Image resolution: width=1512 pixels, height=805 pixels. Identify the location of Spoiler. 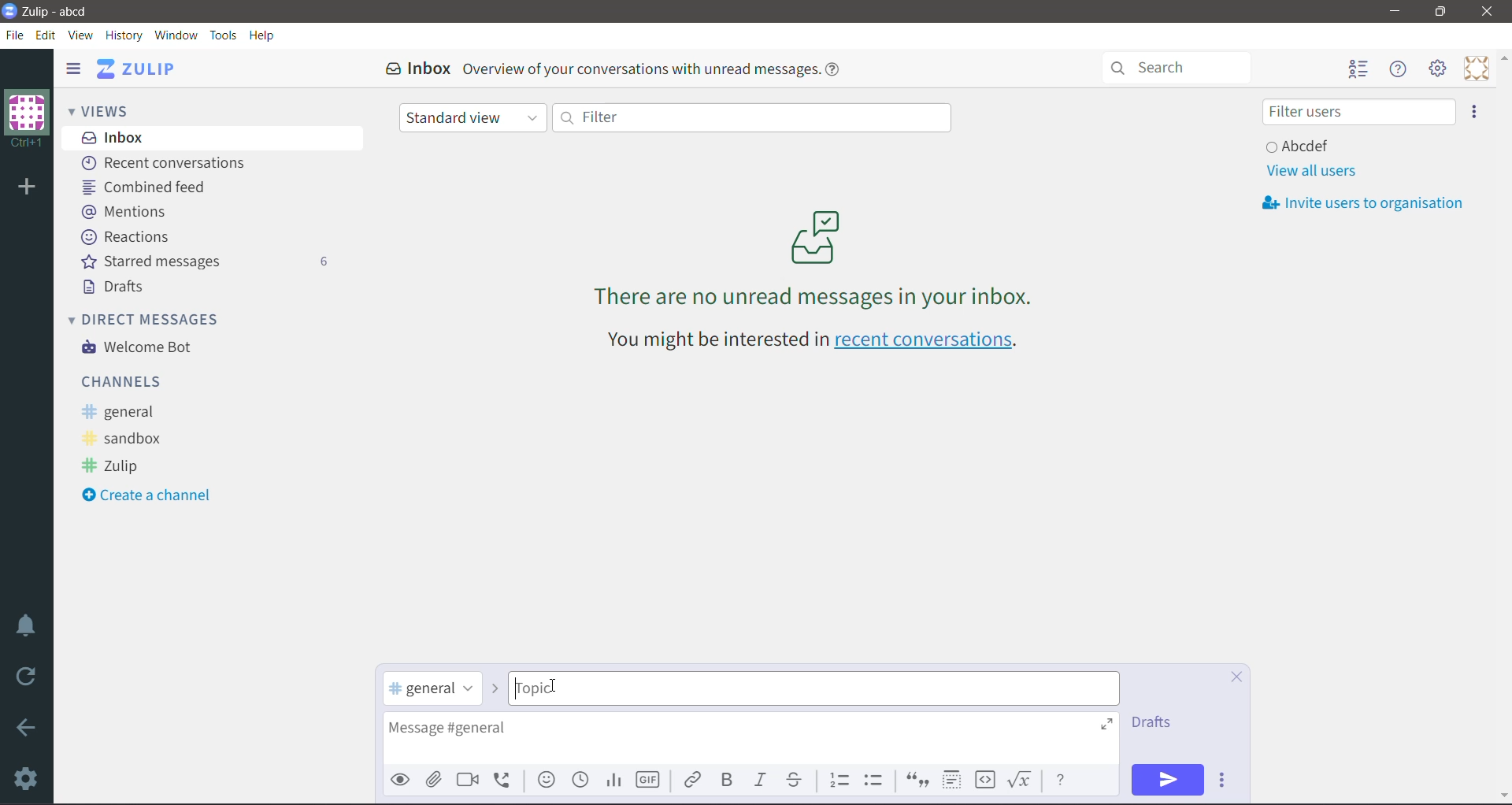
(951, 781).